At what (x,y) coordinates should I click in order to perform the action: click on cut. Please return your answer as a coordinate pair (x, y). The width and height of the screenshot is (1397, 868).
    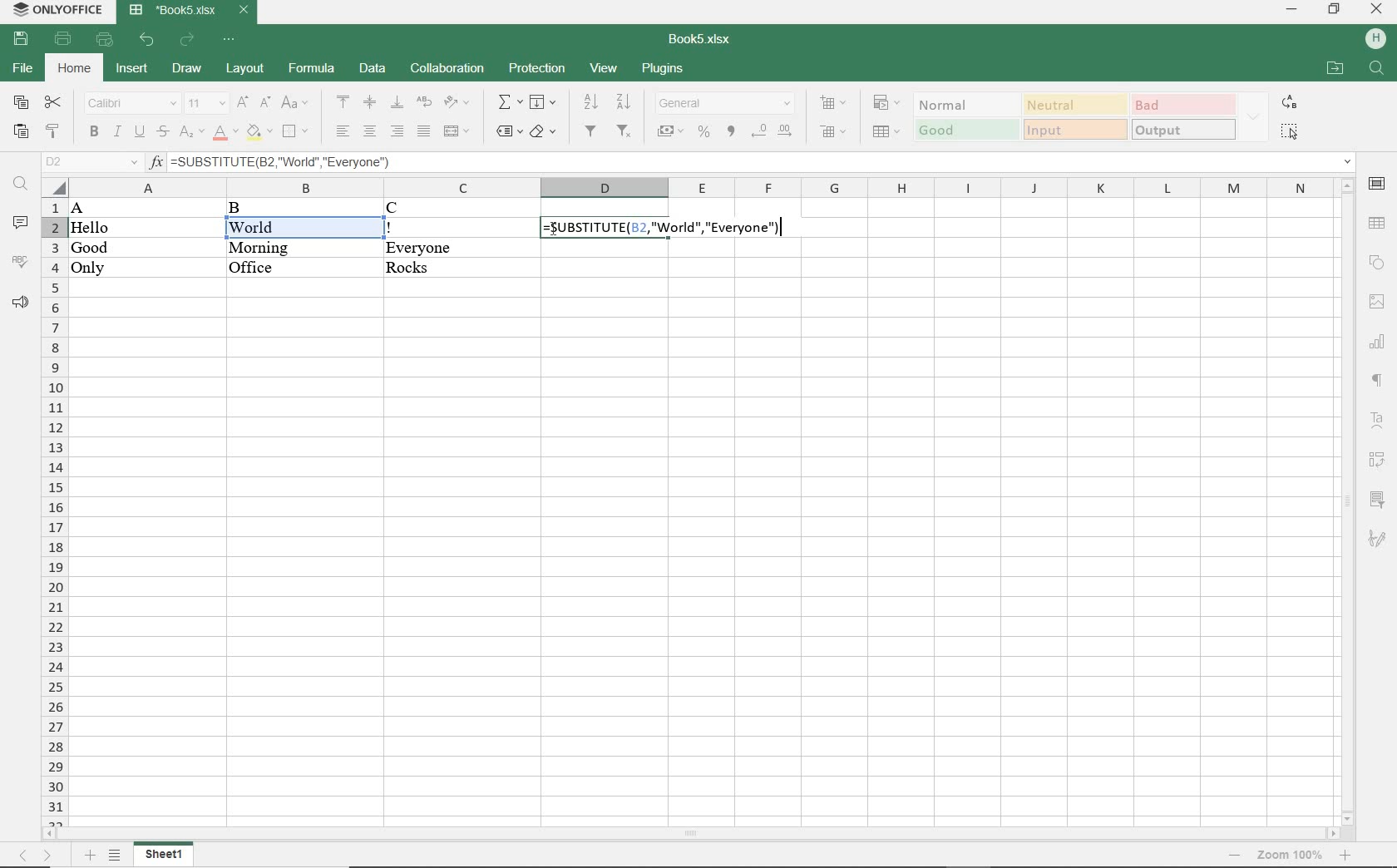
    Looking at the image, I should click on (55, 102).